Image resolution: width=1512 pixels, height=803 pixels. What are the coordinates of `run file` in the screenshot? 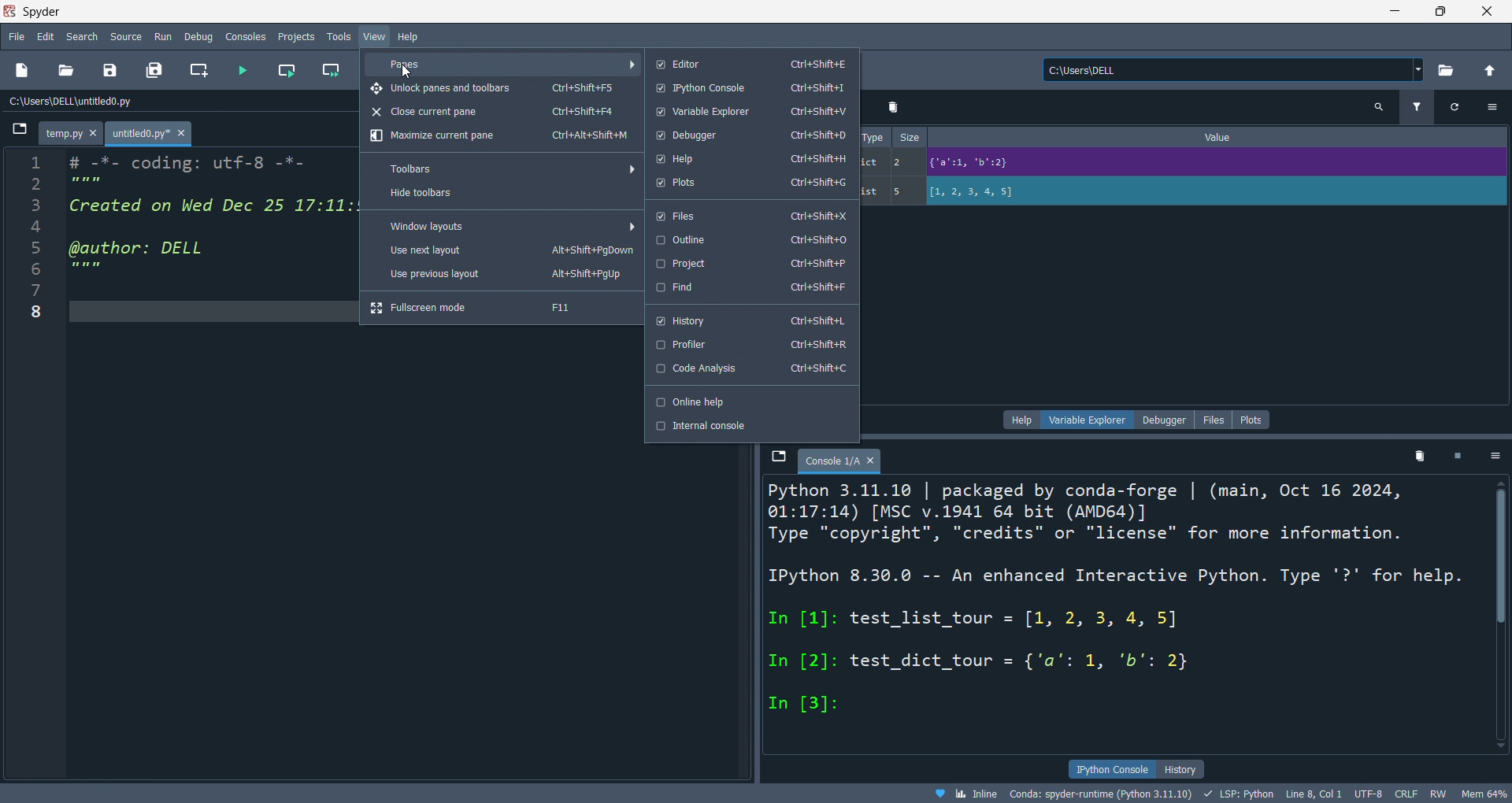 It's located at (243, 71).